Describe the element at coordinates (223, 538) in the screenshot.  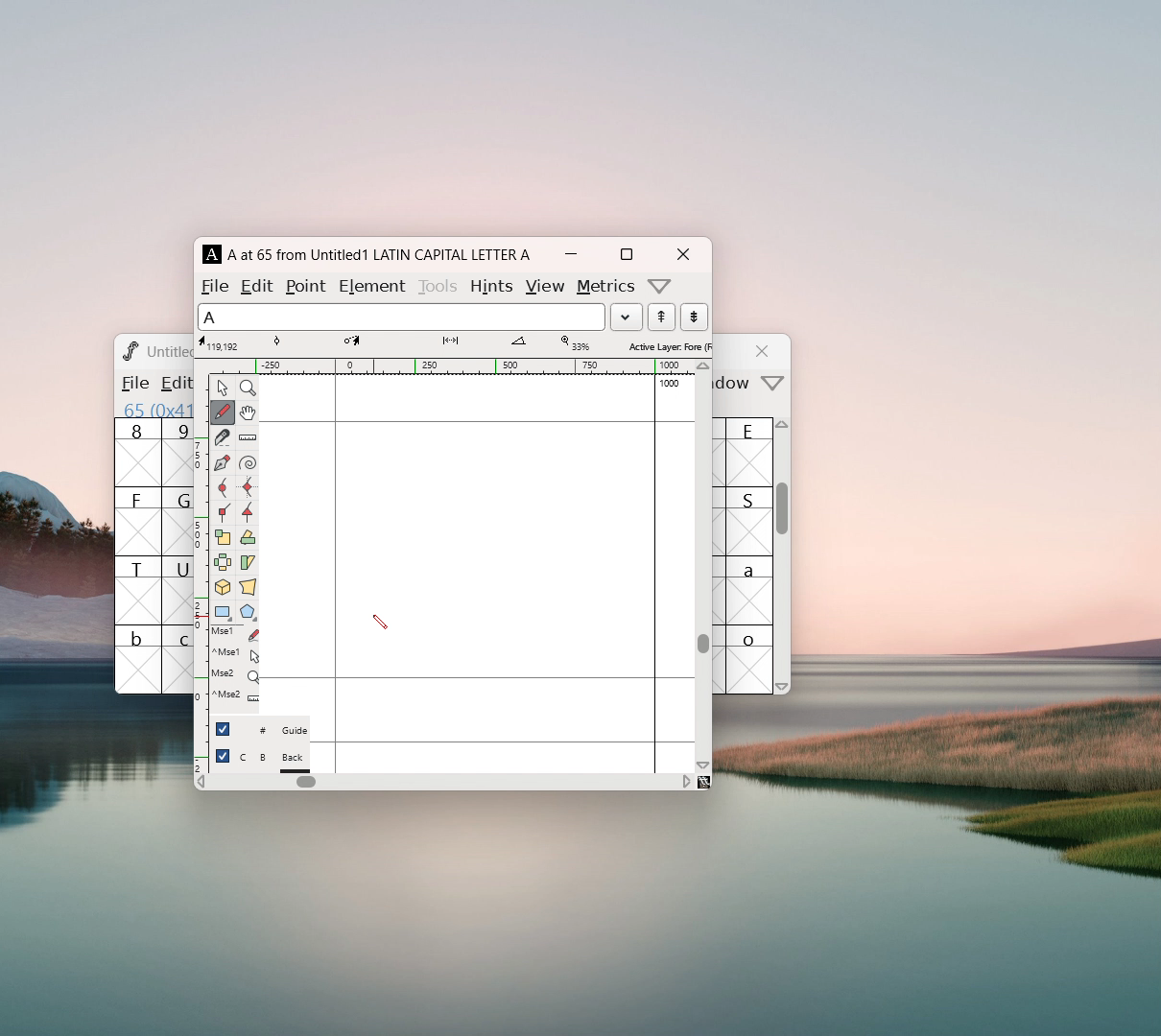
I see `scale the selection` at that location.